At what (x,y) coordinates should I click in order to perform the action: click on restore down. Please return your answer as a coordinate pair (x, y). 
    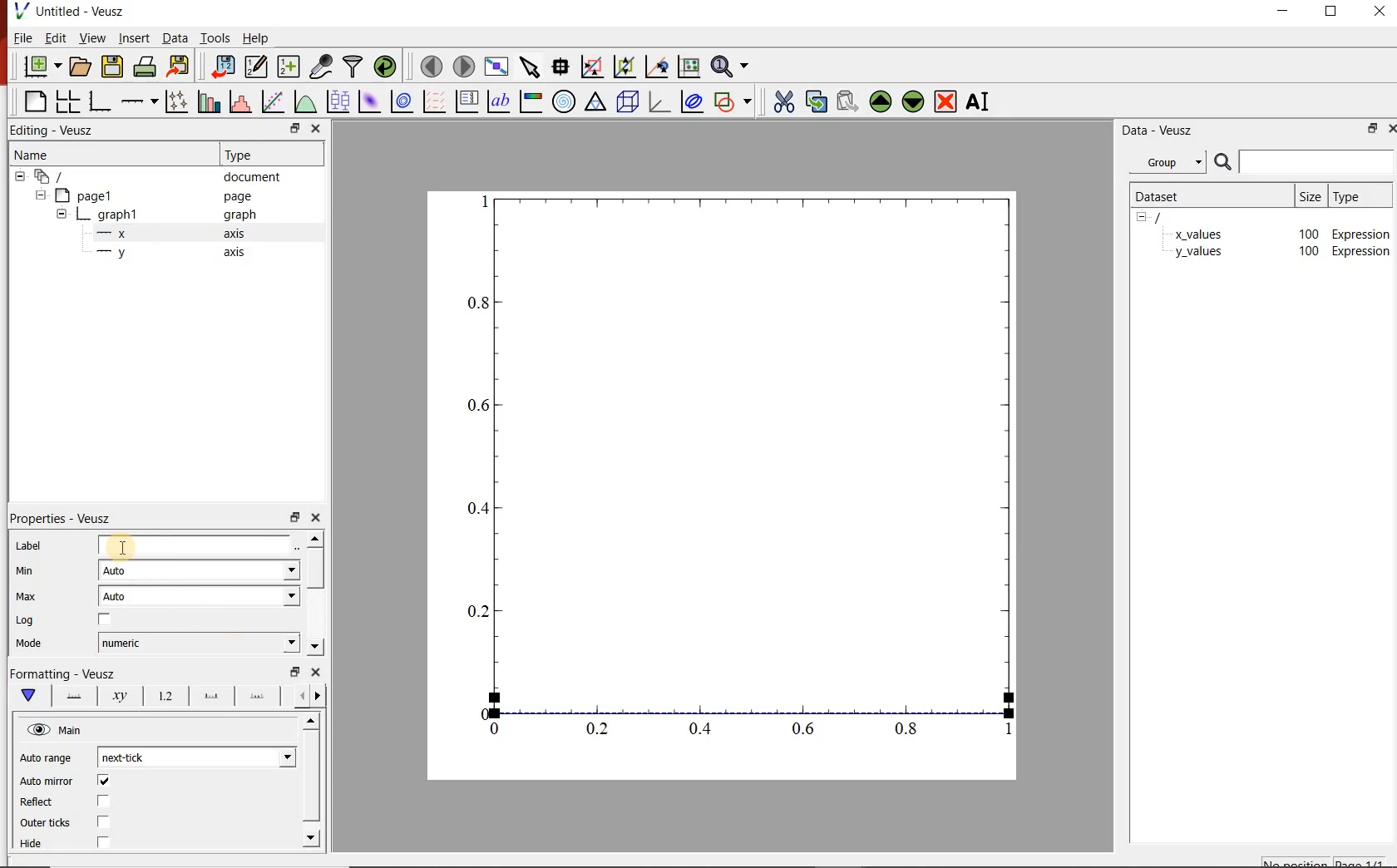
    Looking at the image, I should click on (294, 127).